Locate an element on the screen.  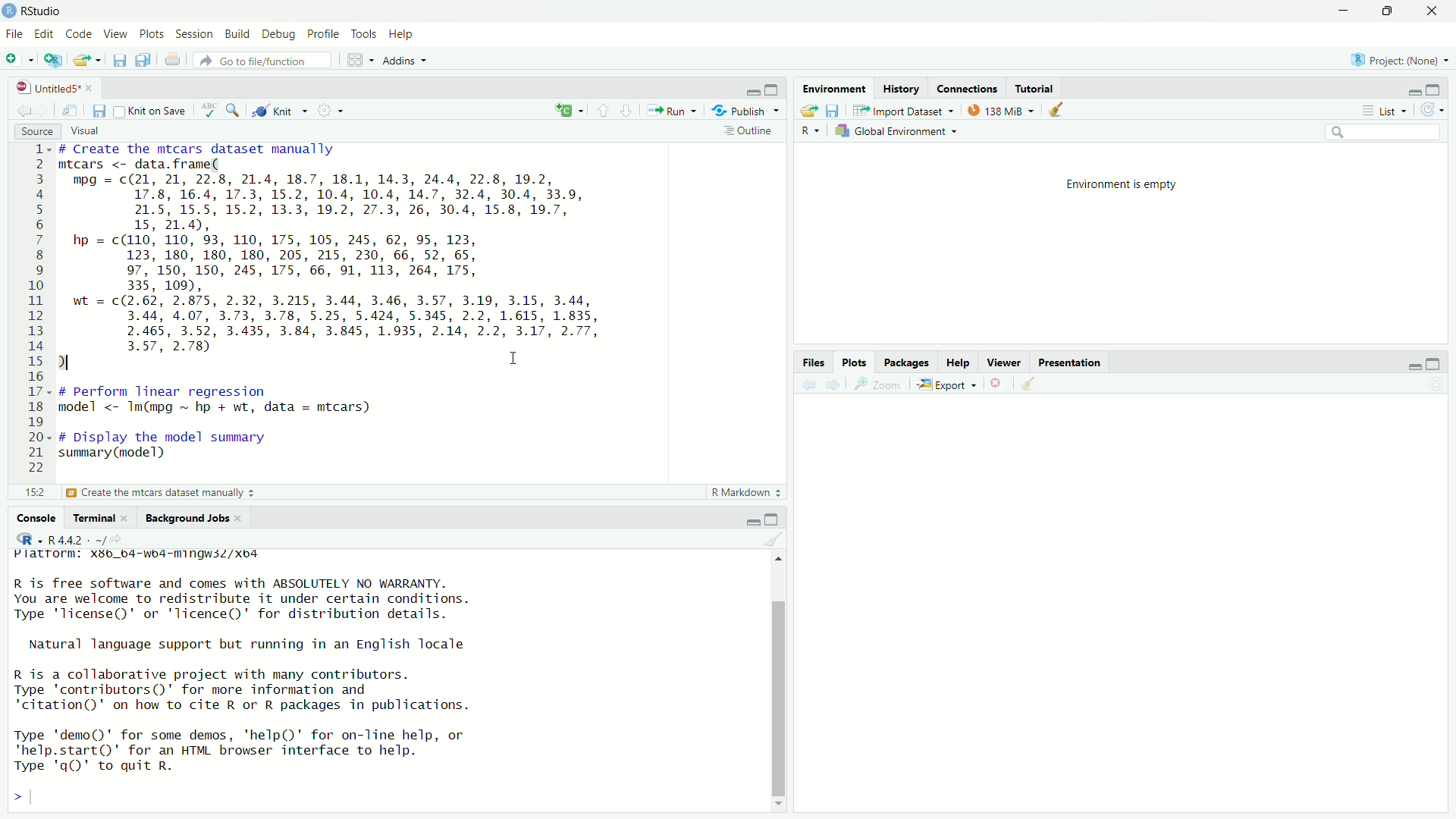
edit is located at coordinates (43, 34).